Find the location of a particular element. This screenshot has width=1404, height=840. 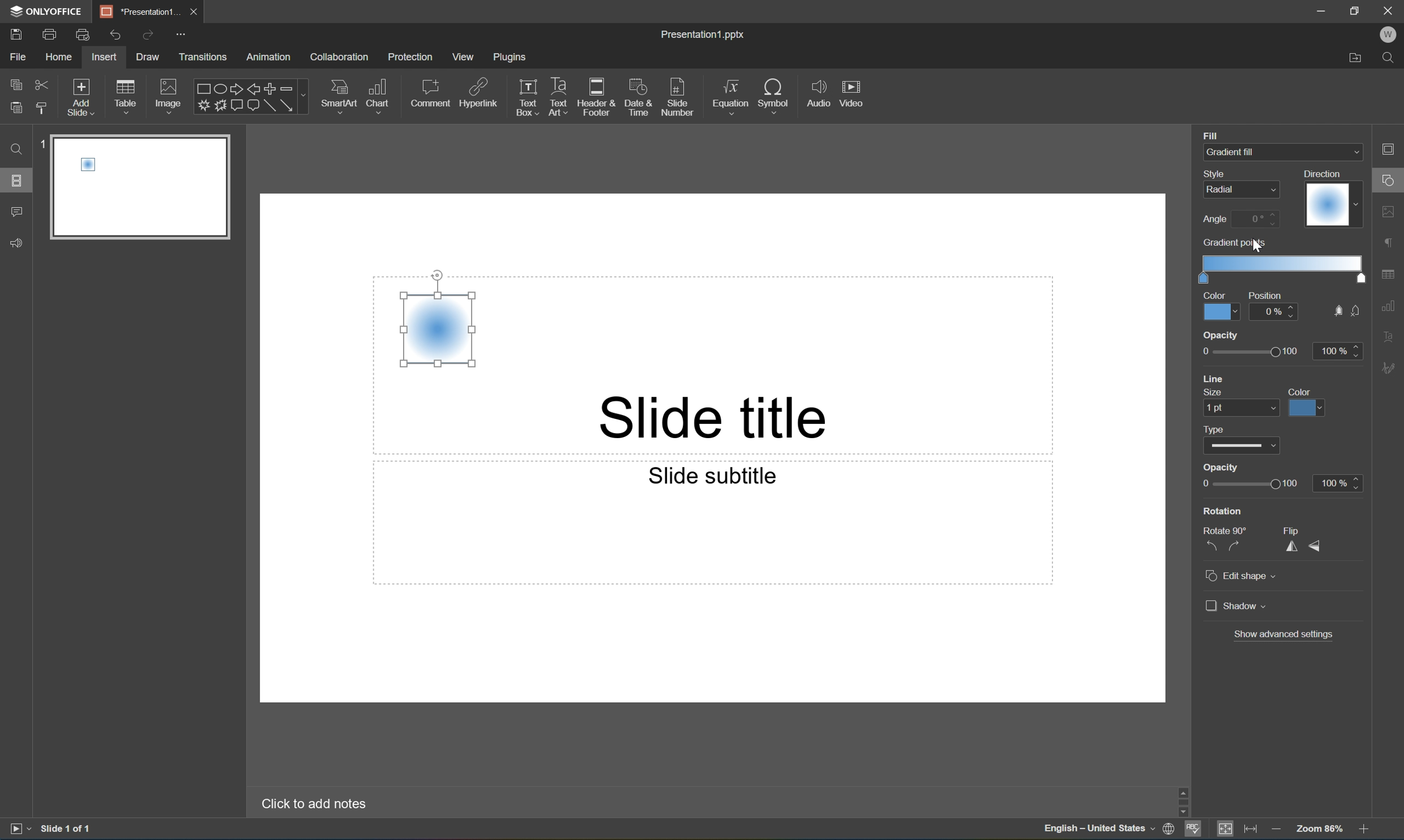

Gradient fill is located at coordinates (1249, 152).